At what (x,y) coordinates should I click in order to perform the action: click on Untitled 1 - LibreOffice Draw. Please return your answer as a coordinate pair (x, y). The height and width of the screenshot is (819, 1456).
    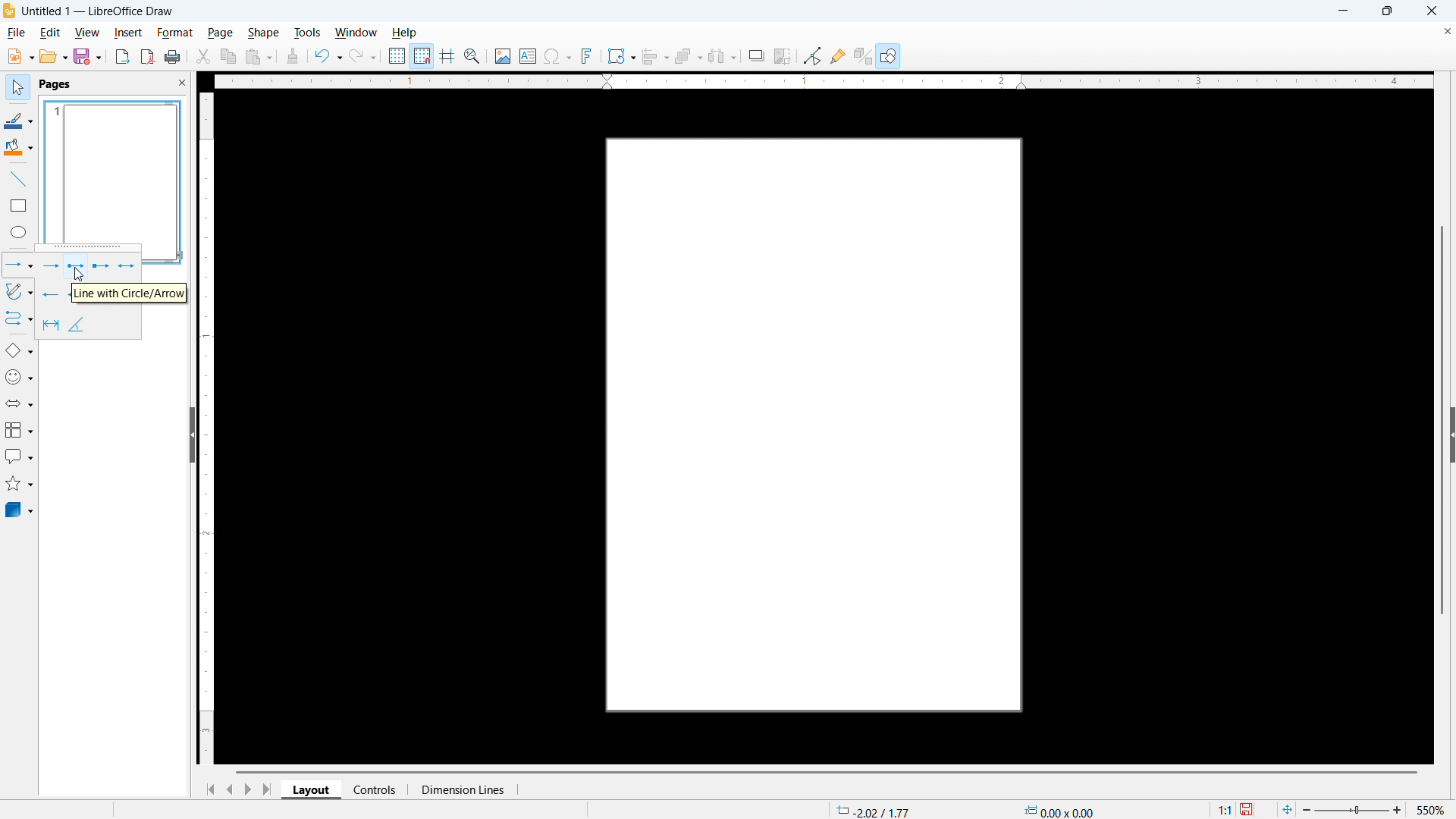
    Looking at the image, I should click on (99, 11).